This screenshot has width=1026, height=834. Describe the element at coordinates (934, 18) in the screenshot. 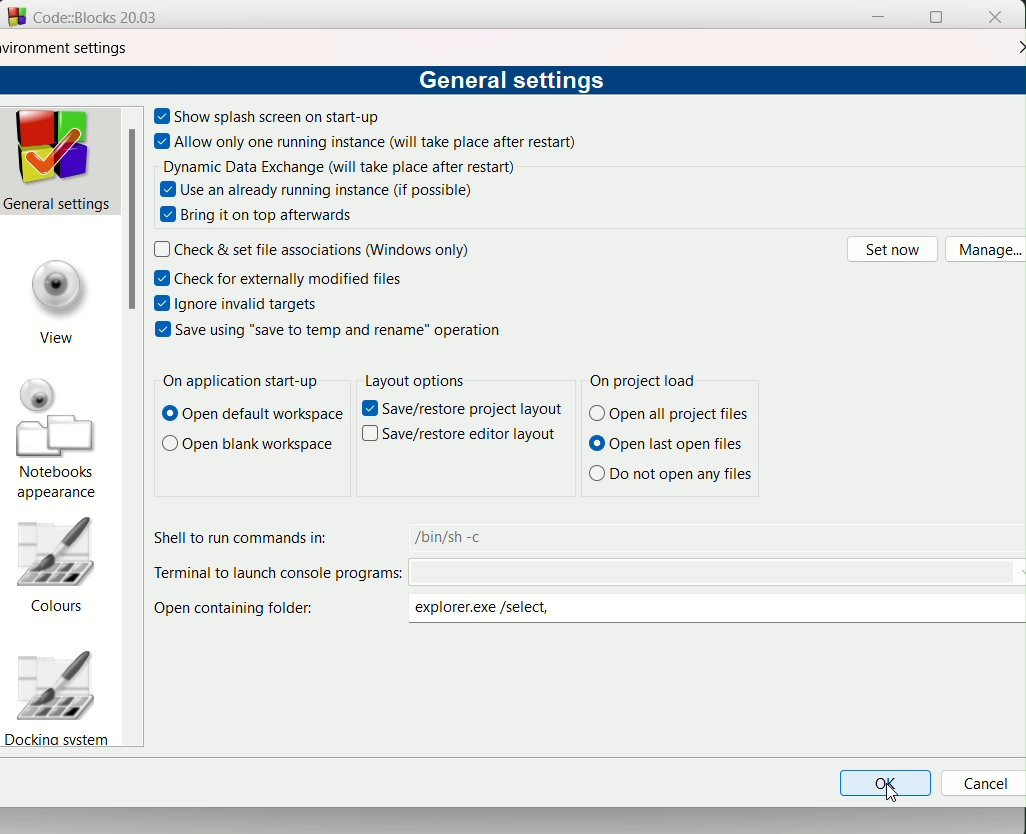

I see `fullscreen` at that location.